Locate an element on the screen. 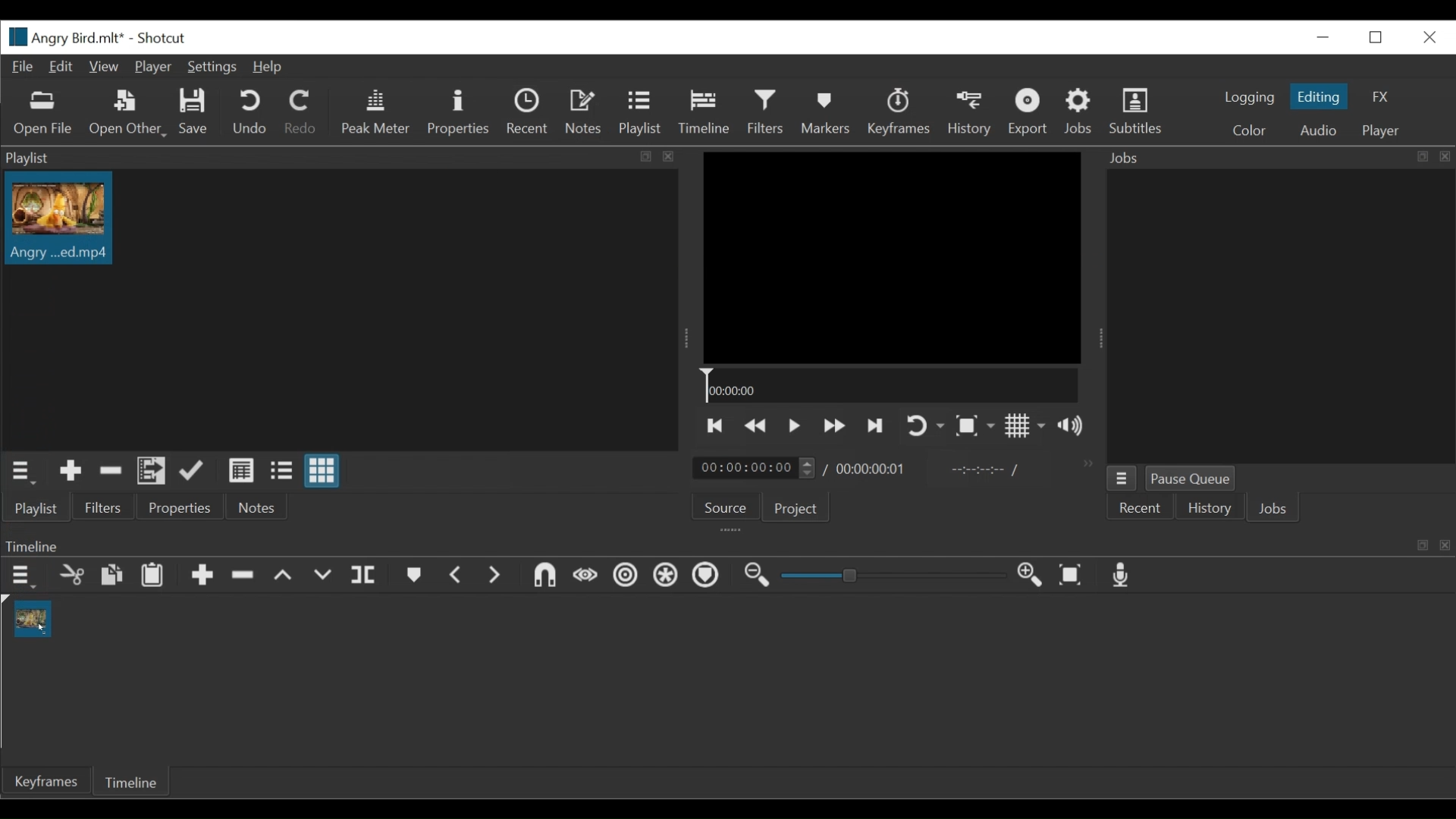  File Name is located at coordinates (63, 37).